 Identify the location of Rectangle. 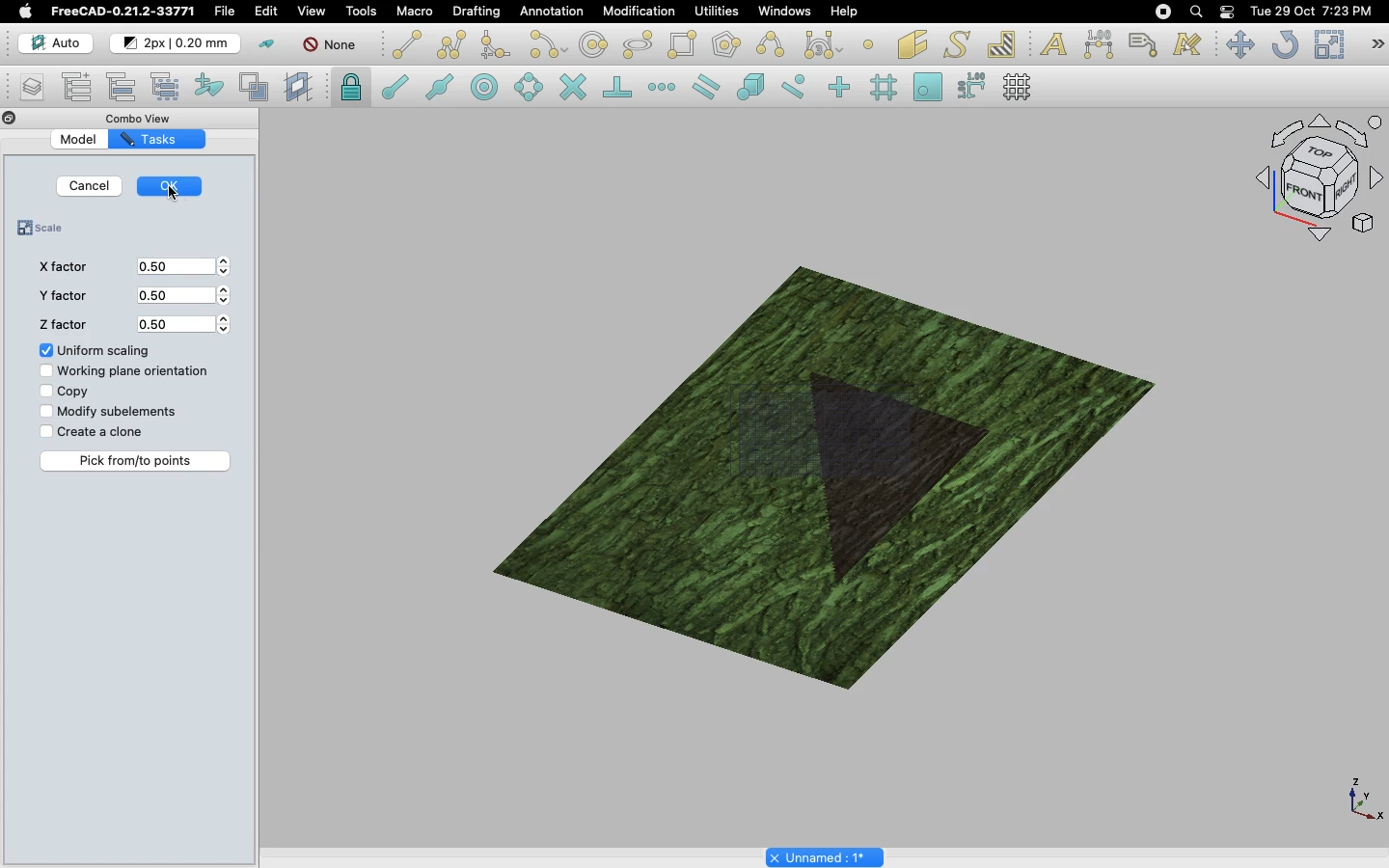
(681, 44).